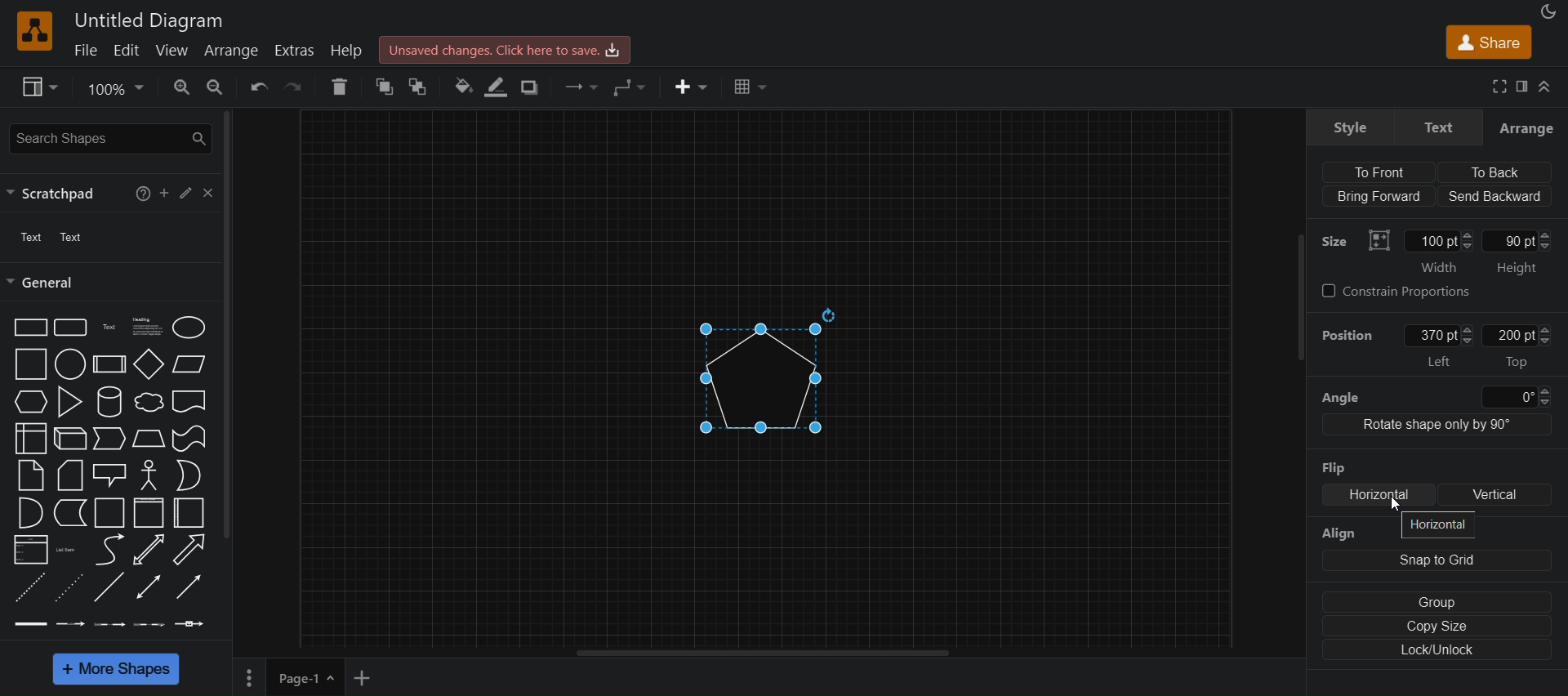  I want to click on Flip, so click(1334, 468).